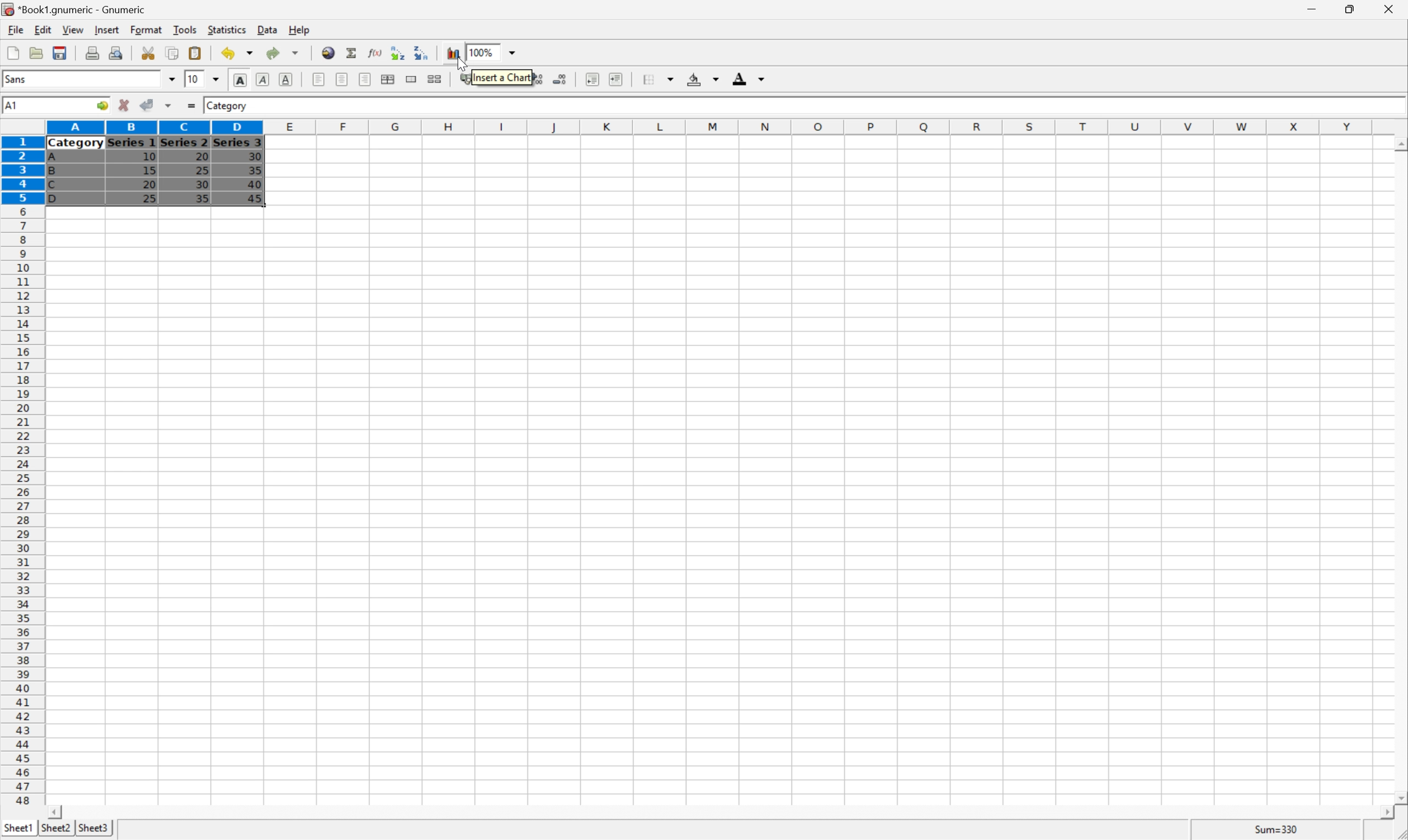 The width and height of the screenshot is (1408, 840). Describe the element at coordinates (149, 199) in the screenshot. I see `25` at that location.